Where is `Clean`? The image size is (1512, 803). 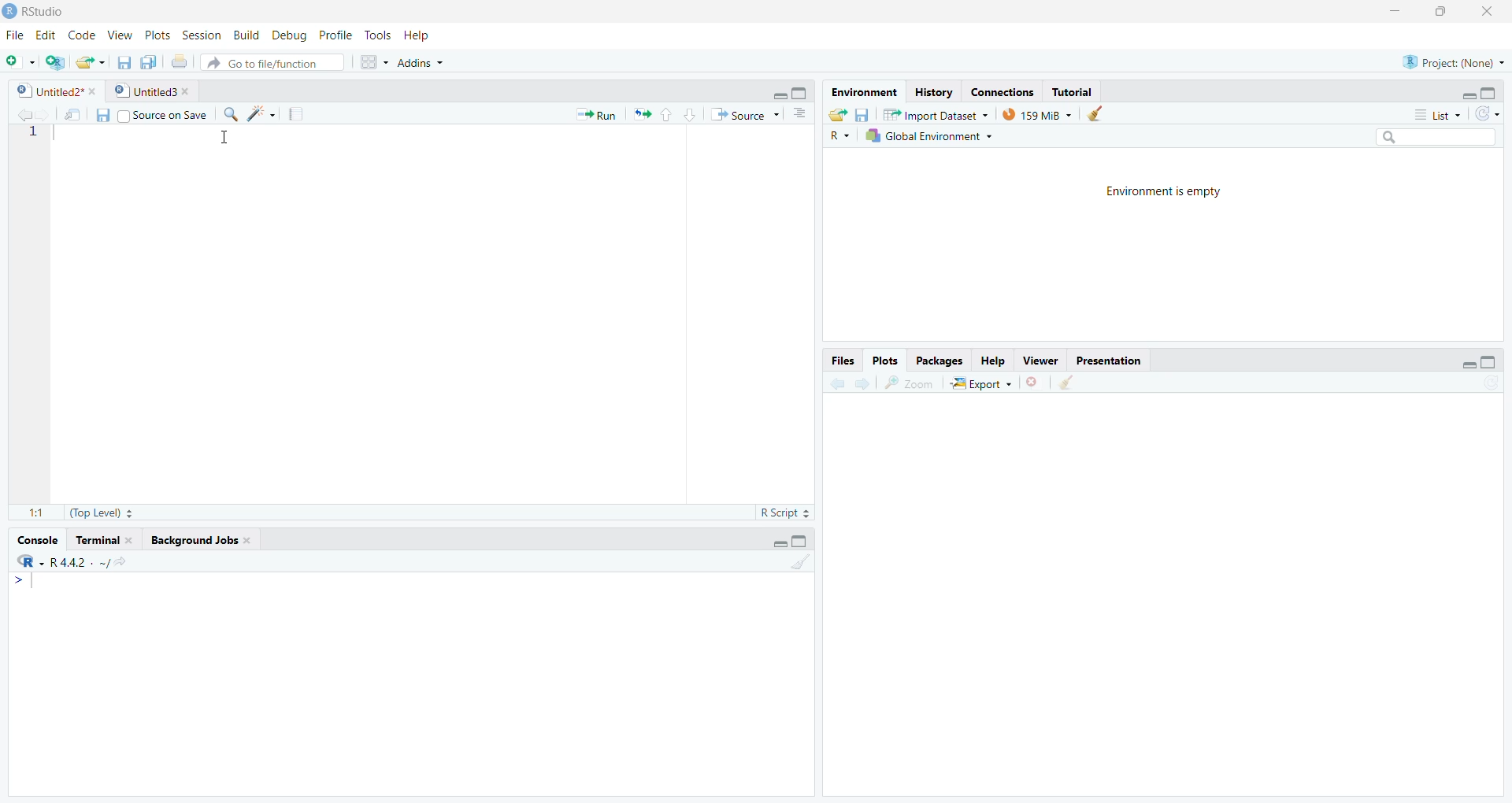 Clean is located at coordinates (1098, 113).